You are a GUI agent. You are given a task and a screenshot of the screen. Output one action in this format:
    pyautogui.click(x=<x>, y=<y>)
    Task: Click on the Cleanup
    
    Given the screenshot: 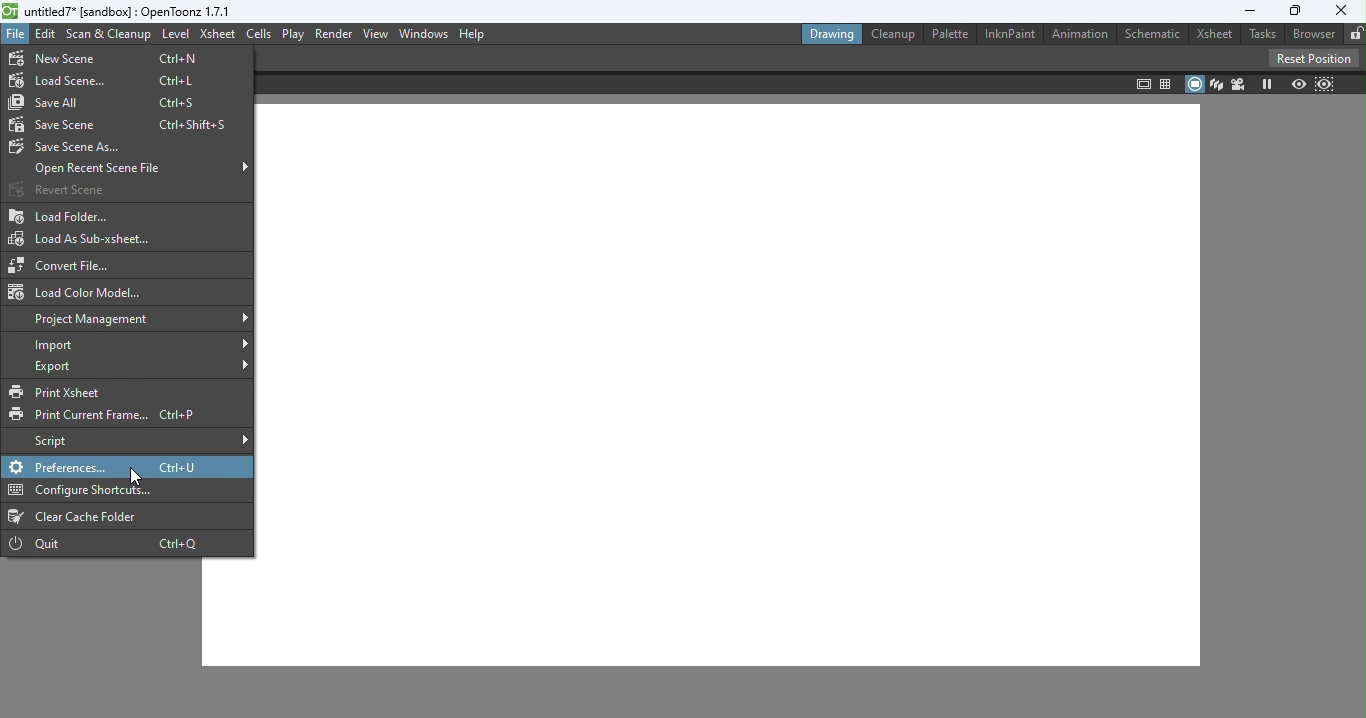 What is the action you would take?
    pyautogui.click(x=892, y=34)
    